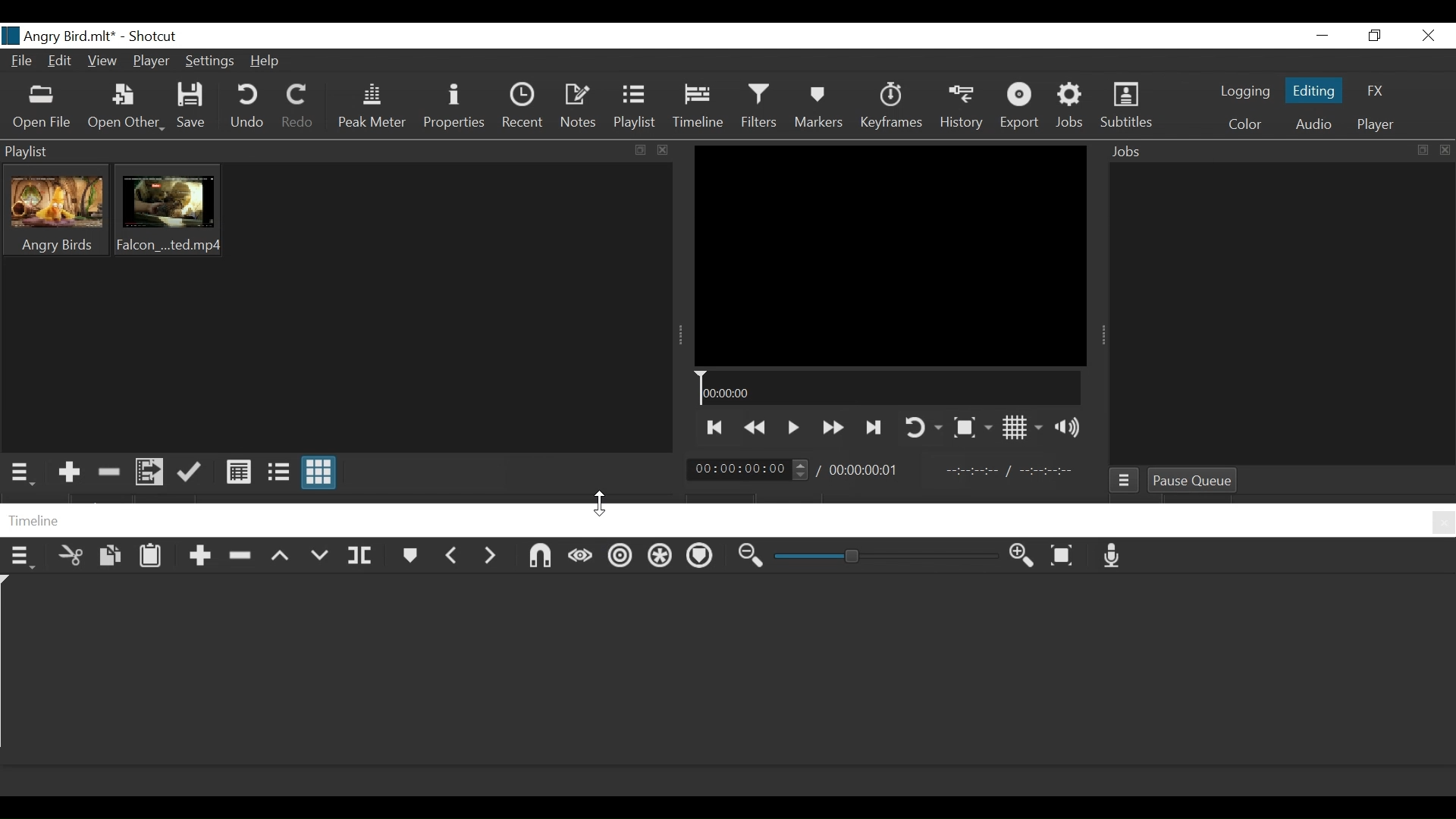  I want to click on Properties, so click(453, 107).